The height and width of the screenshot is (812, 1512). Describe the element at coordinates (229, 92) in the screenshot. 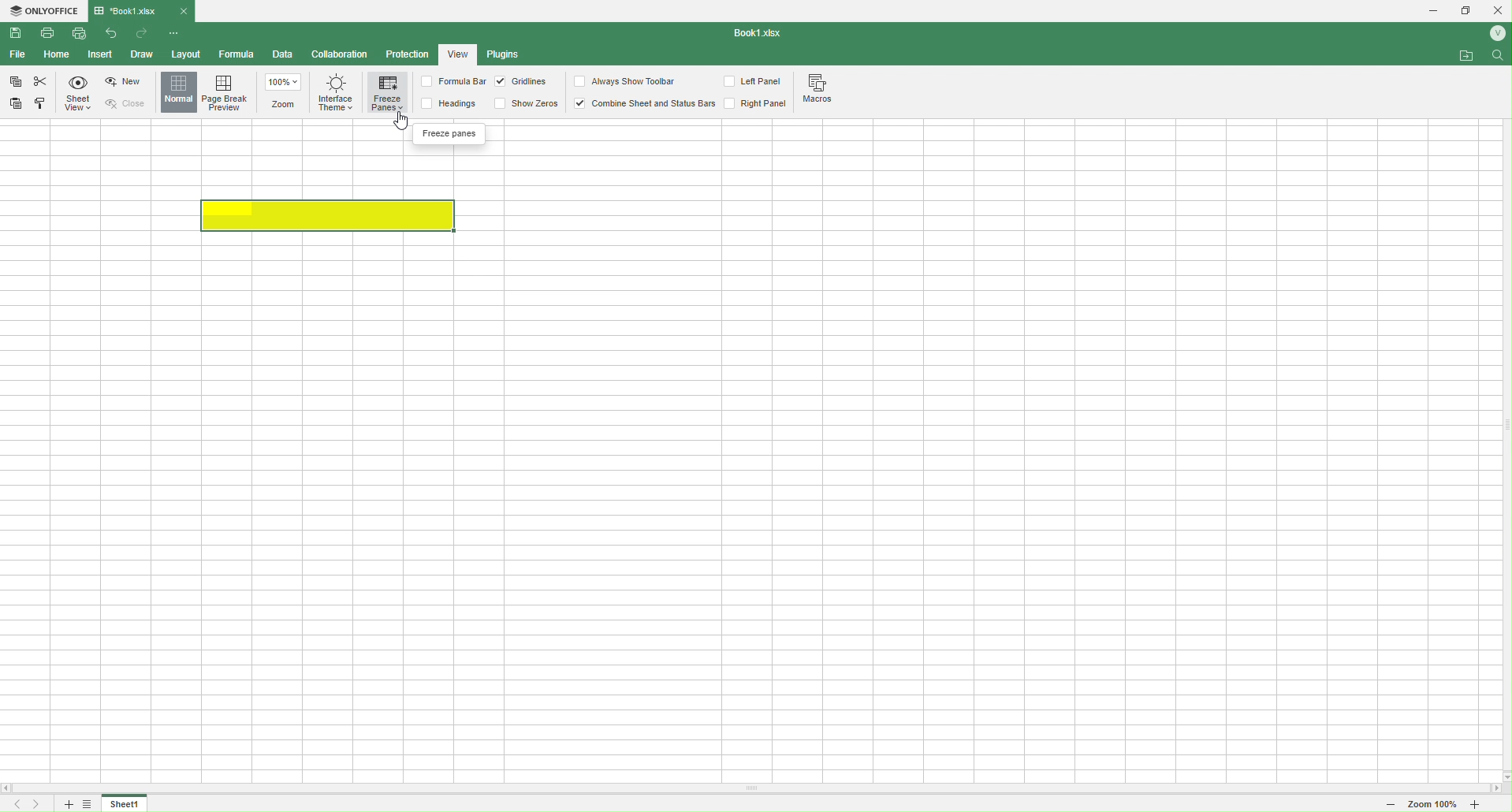

I see `Page break preview` at that location.